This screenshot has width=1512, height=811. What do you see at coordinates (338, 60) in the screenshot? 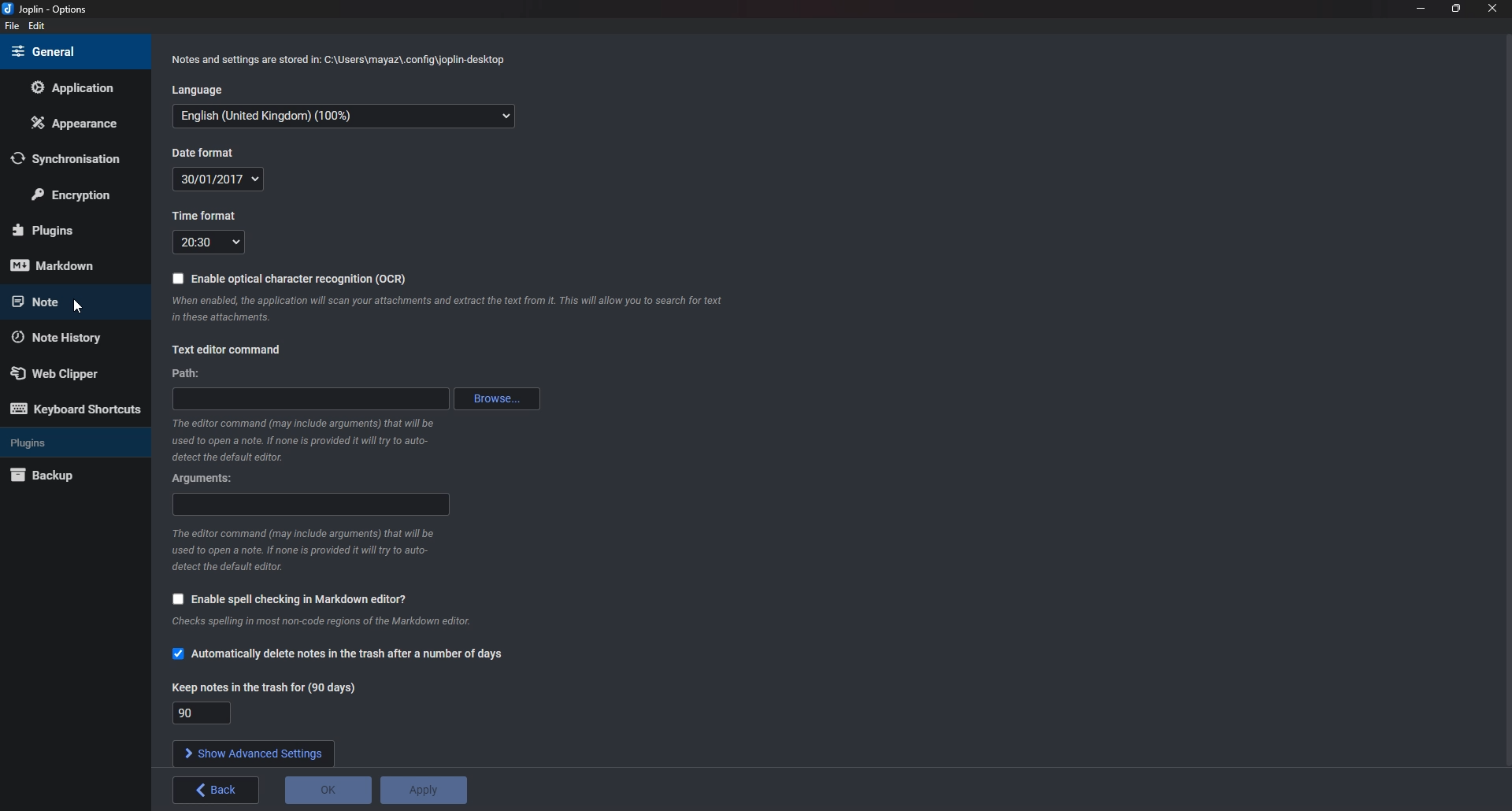
I see `Info` at bounding box center [338, 60].